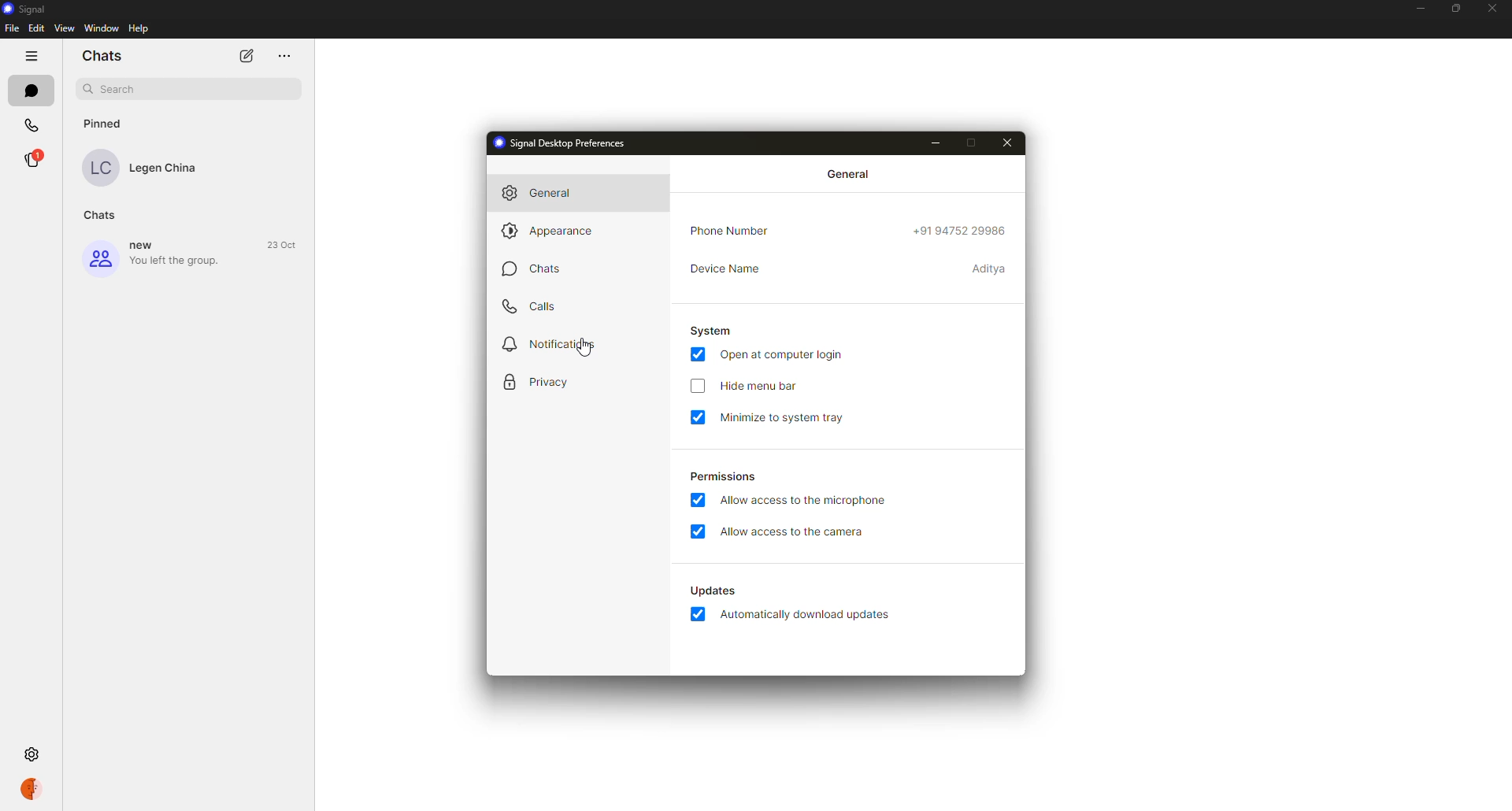  Describe the element at coordinates (804, 613) in the screenshot. I see `automatically download updates` at that location.